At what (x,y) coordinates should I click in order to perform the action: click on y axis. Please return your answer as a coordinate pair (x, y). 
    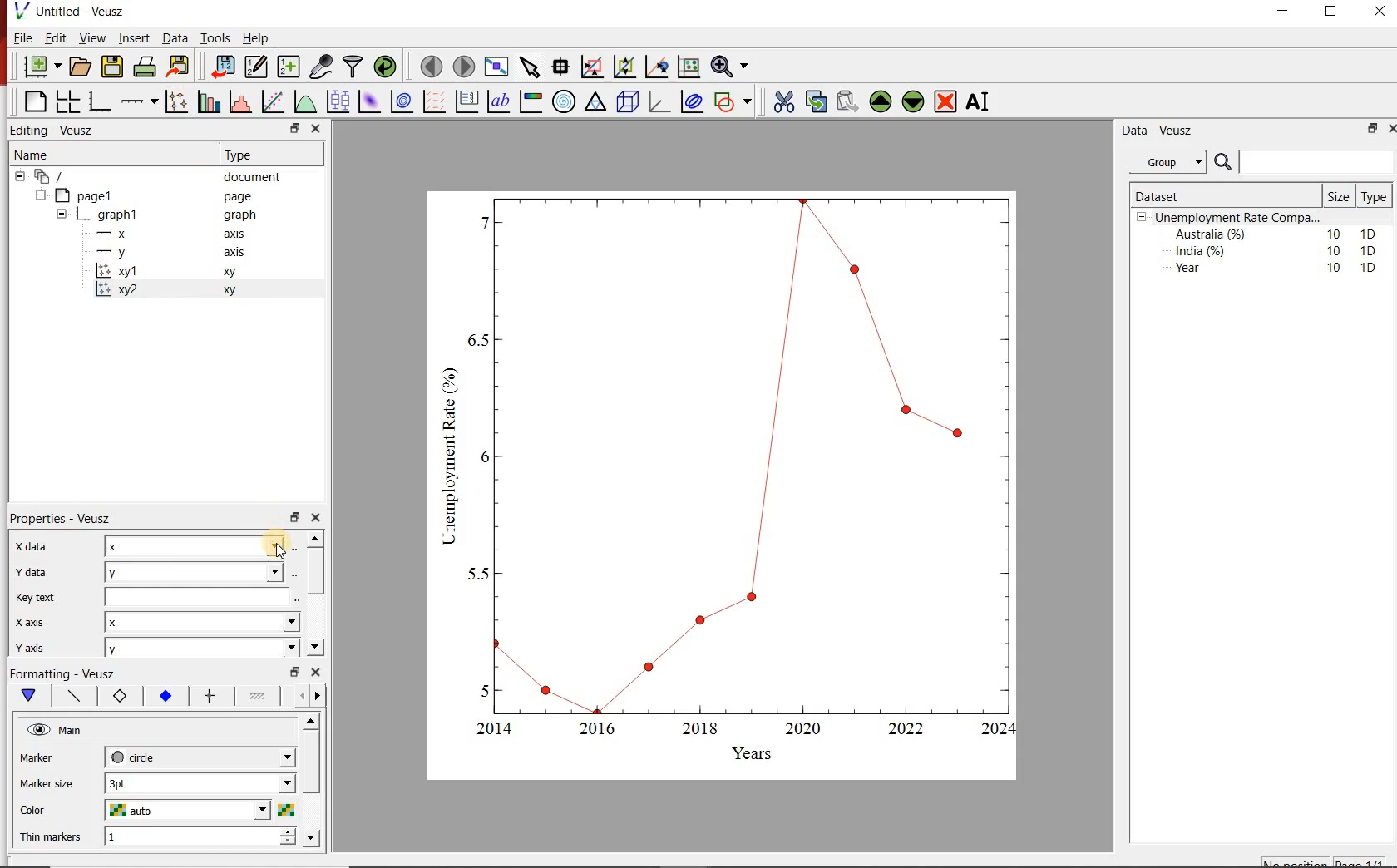
    Looking at the image, I should click on (41, 645).